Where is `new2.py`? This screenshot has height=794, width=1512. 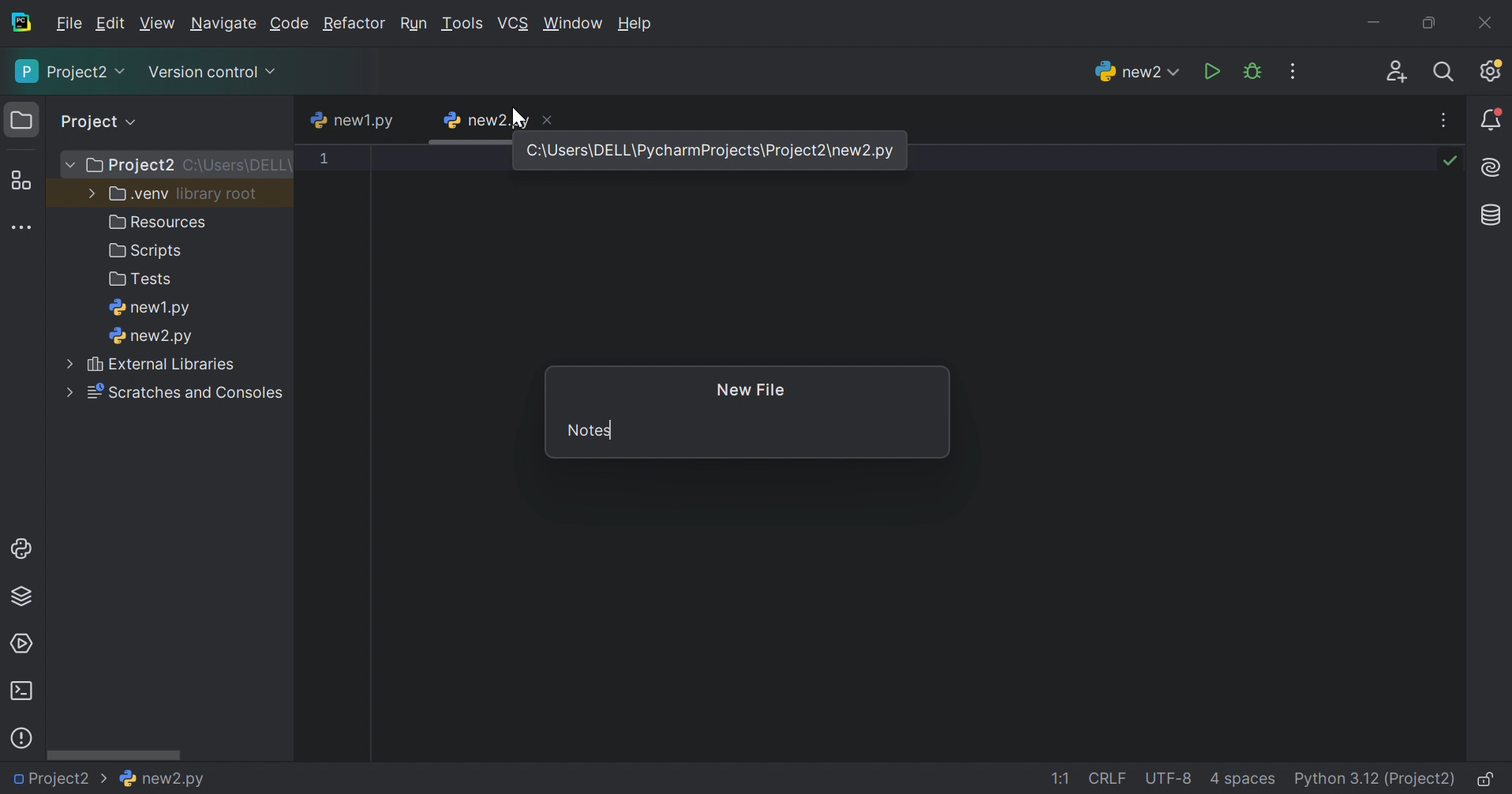 new2.py is located at coordinates (168, 781).